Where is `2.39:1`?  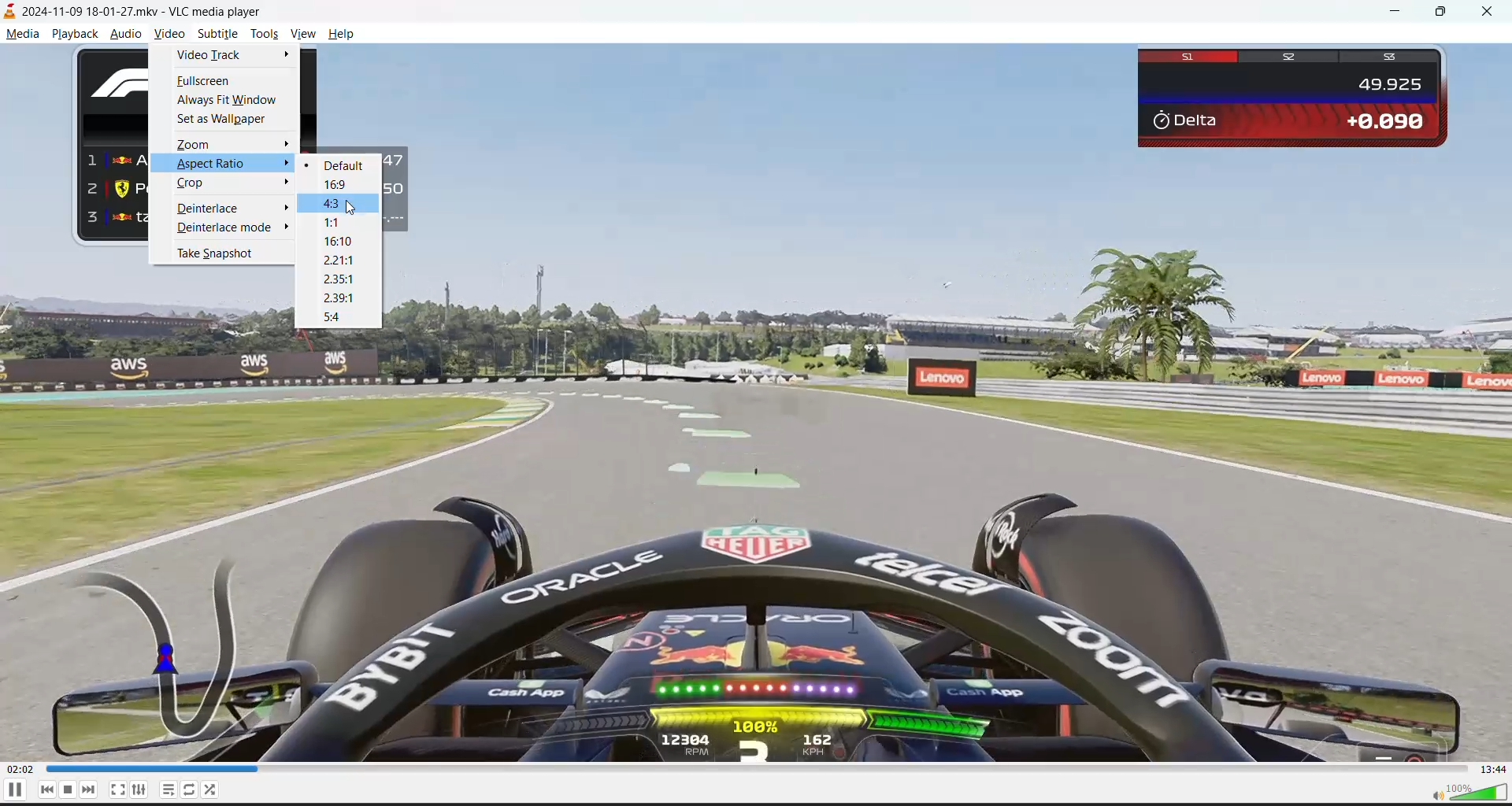
2.39:1 is located at coordinates (345, 297).